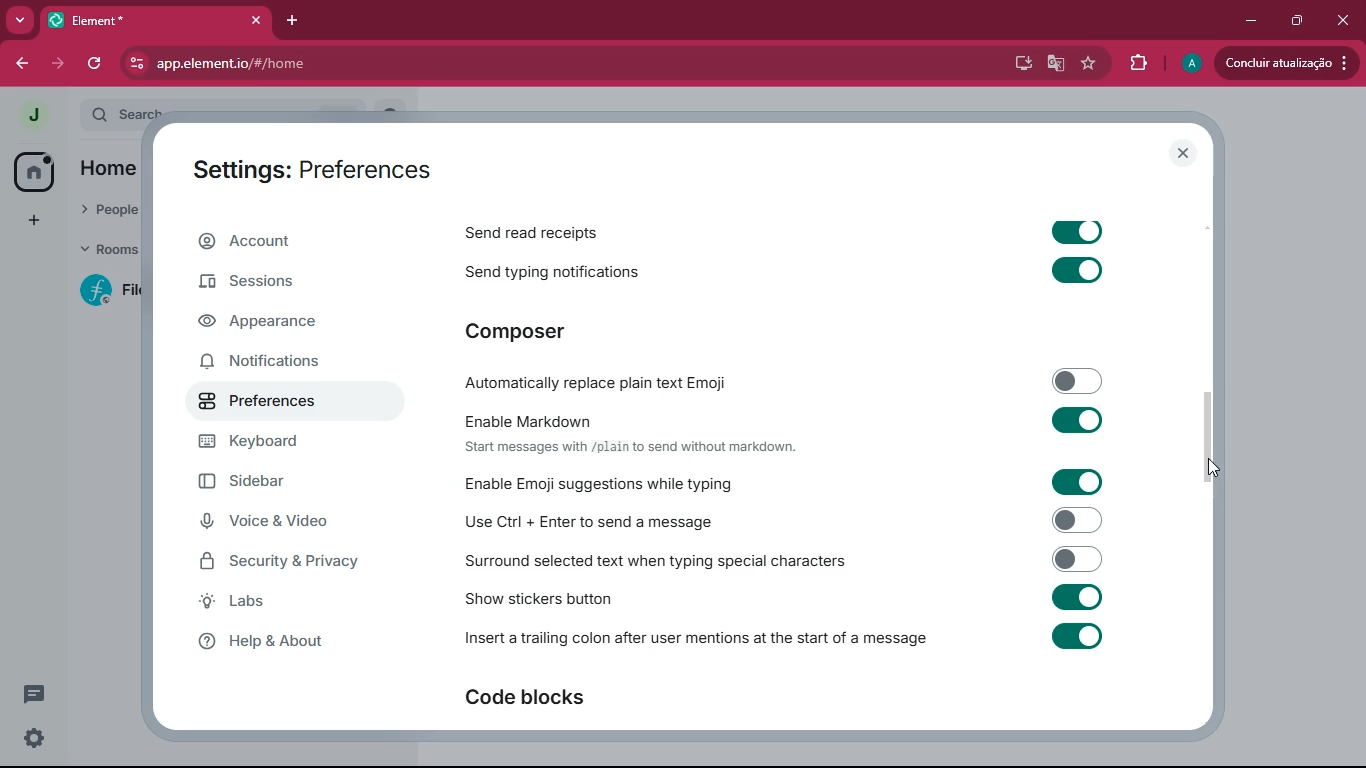  I want to click on add, so click(32, 220).